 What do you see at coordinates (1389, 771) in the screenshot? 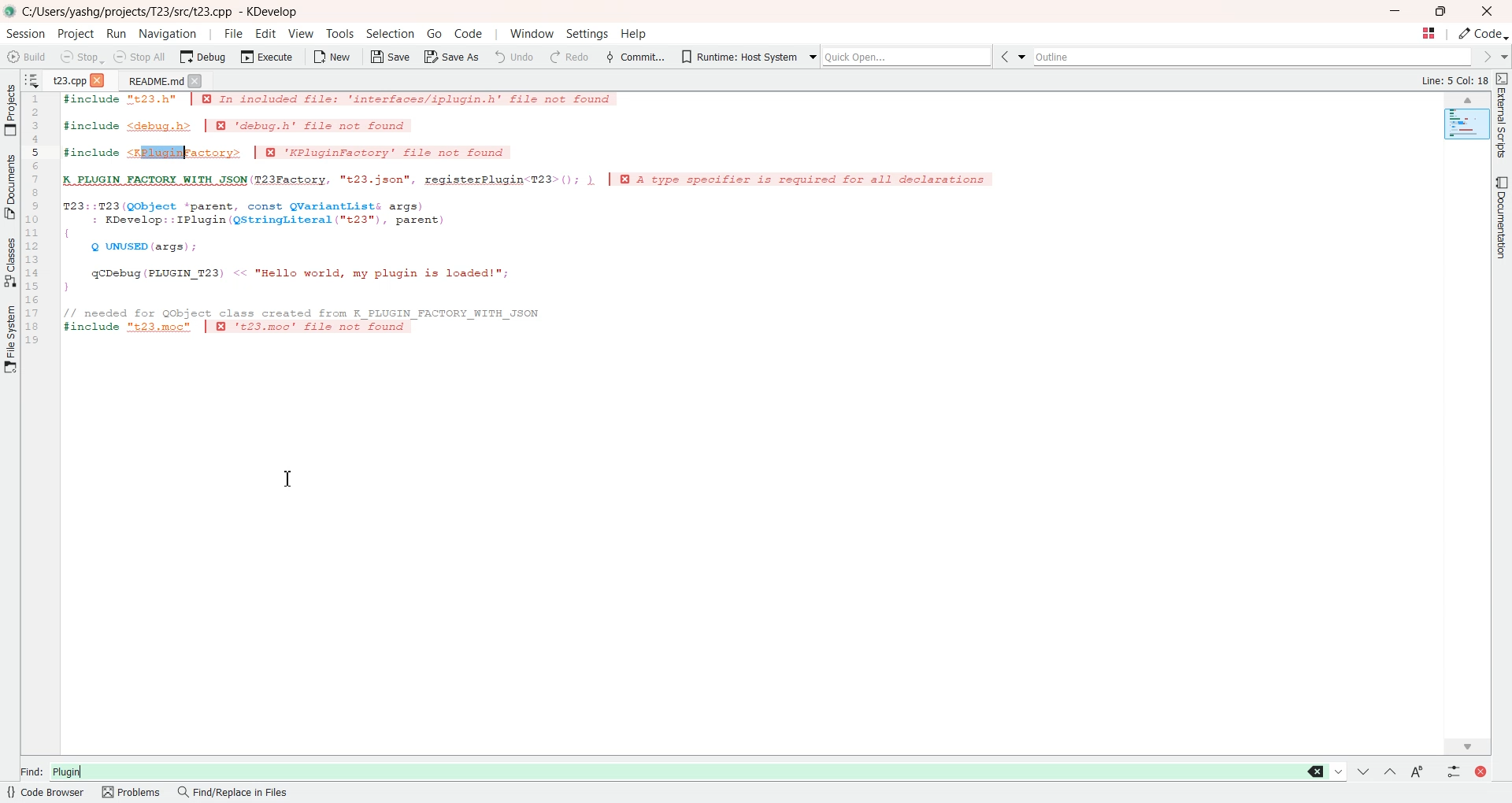
I see `Jump to previous Match` at bounding box center [1389, 771].